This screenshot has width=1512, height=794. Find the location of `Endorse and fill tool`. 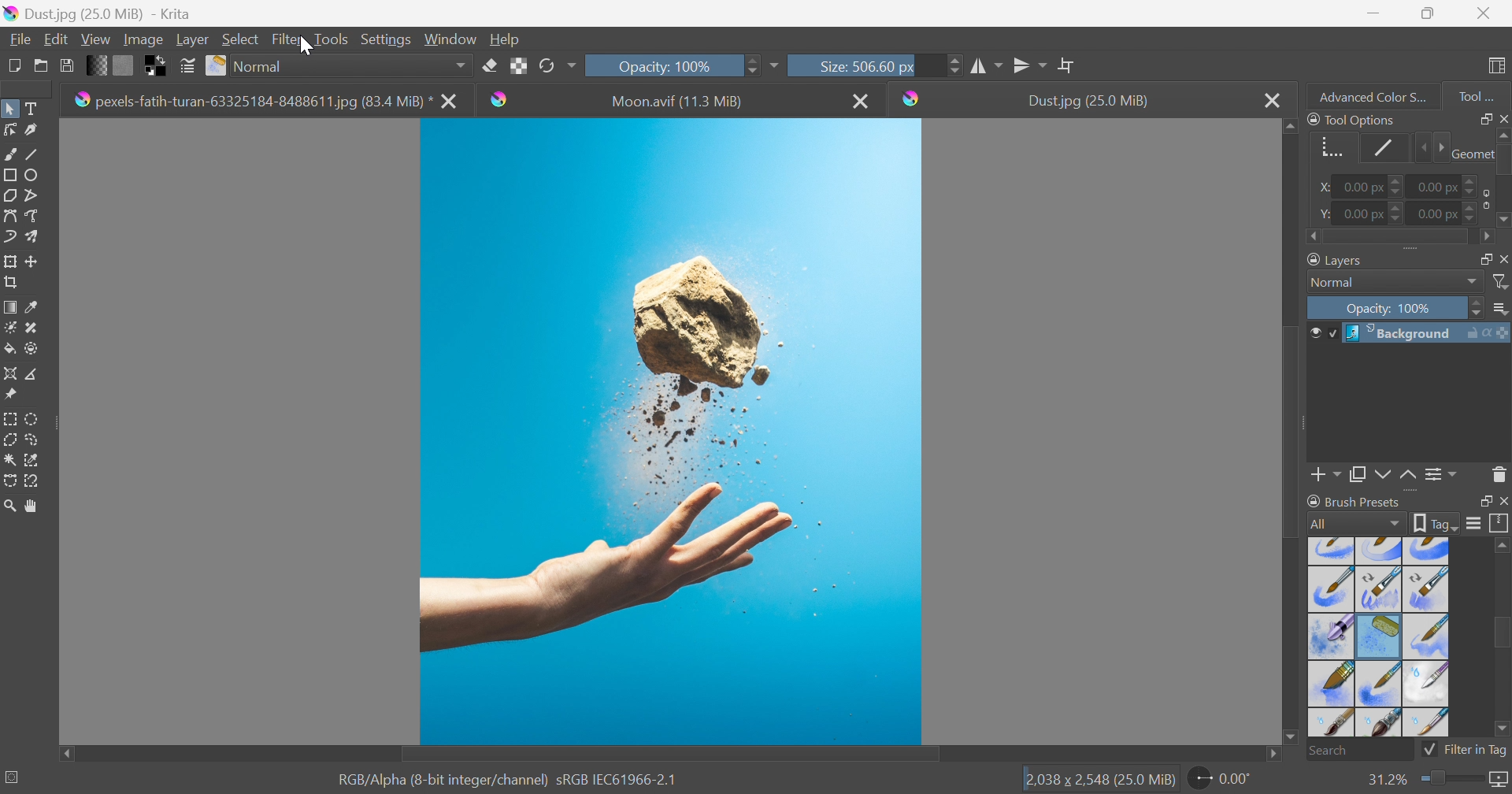

Endorse and fill tool is located at coordinates (31, 350).